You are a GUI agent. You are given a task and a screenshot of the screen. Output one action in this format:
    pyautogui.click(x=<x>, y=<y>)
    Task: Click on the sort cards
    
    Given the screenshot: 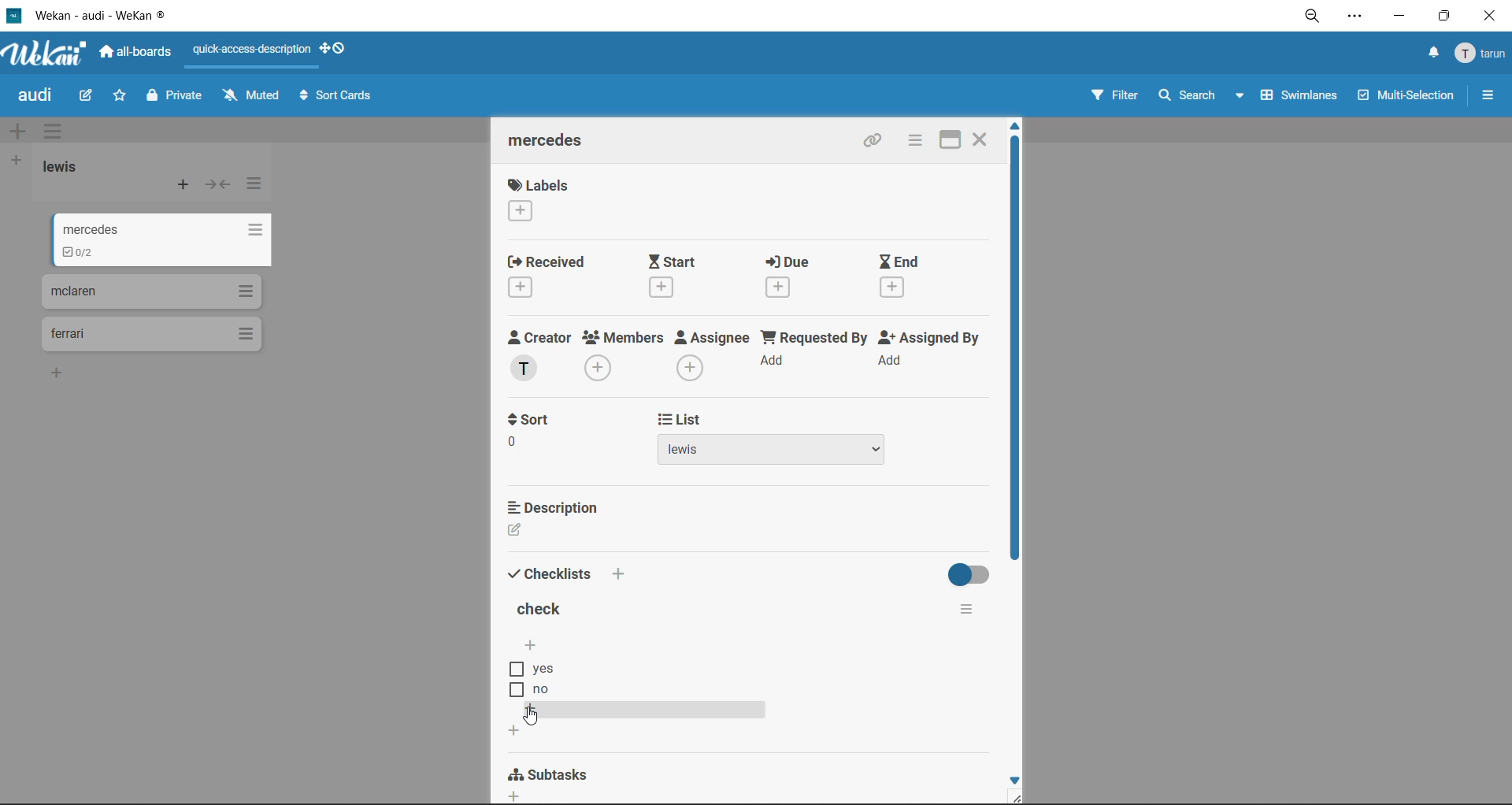 What is the action you would take?
    pyautogui.click(x=338, y=96)
    